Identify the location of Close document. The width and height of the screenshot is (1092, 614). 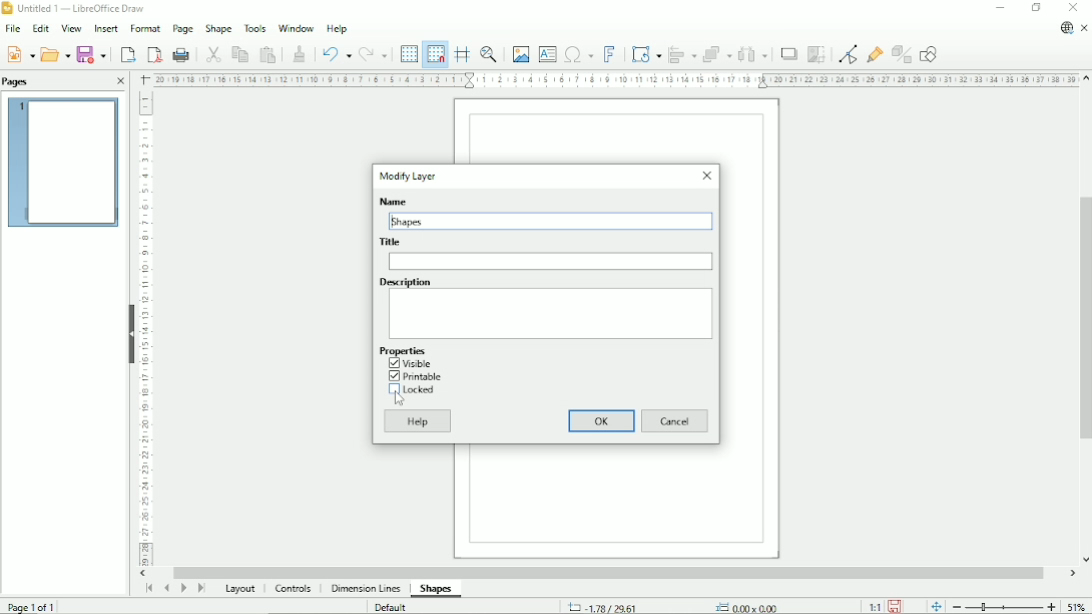
(1086, 29).